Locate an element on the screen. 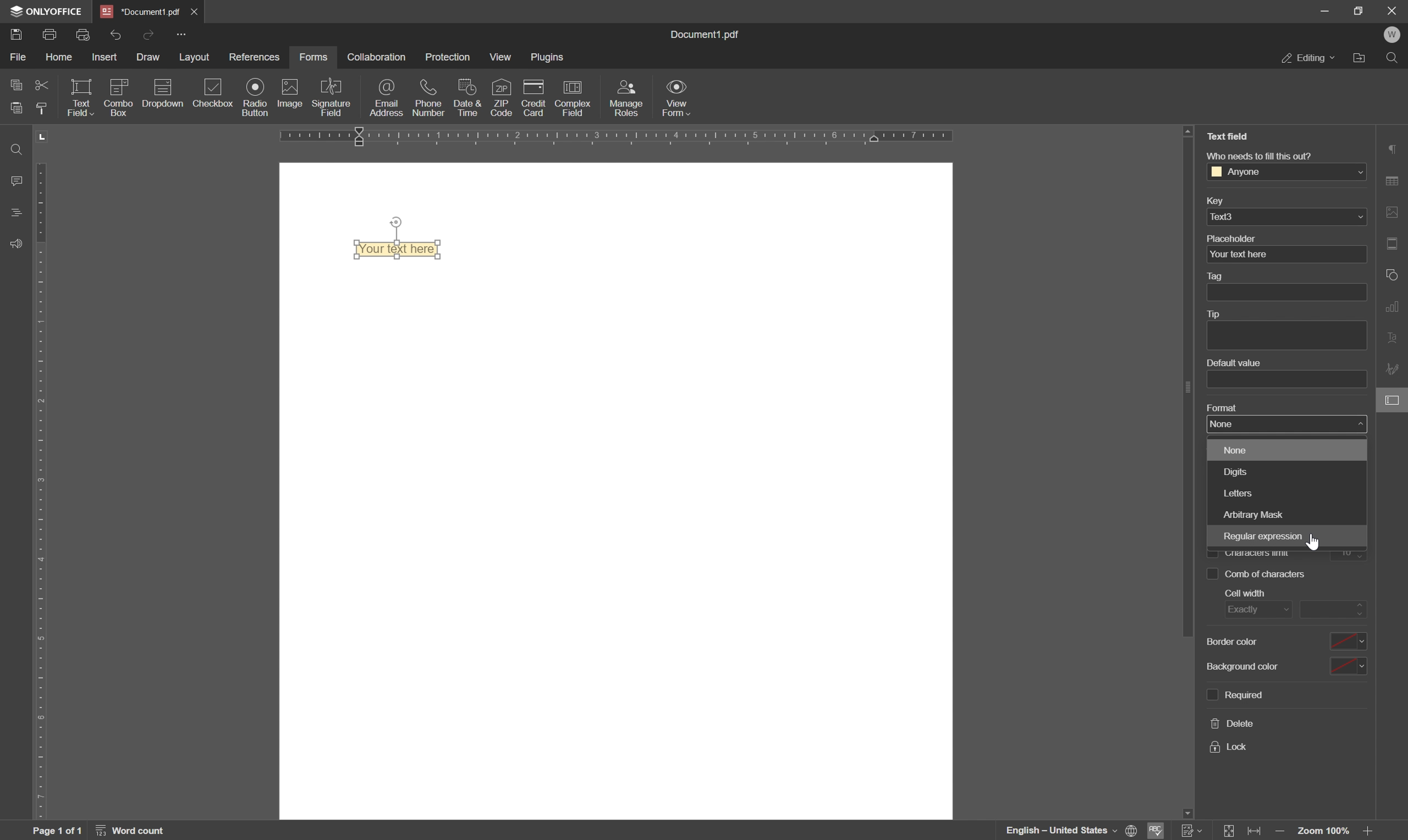 This screenshot has height=840, width=1408. date and time is located at coordinates (467, 98).